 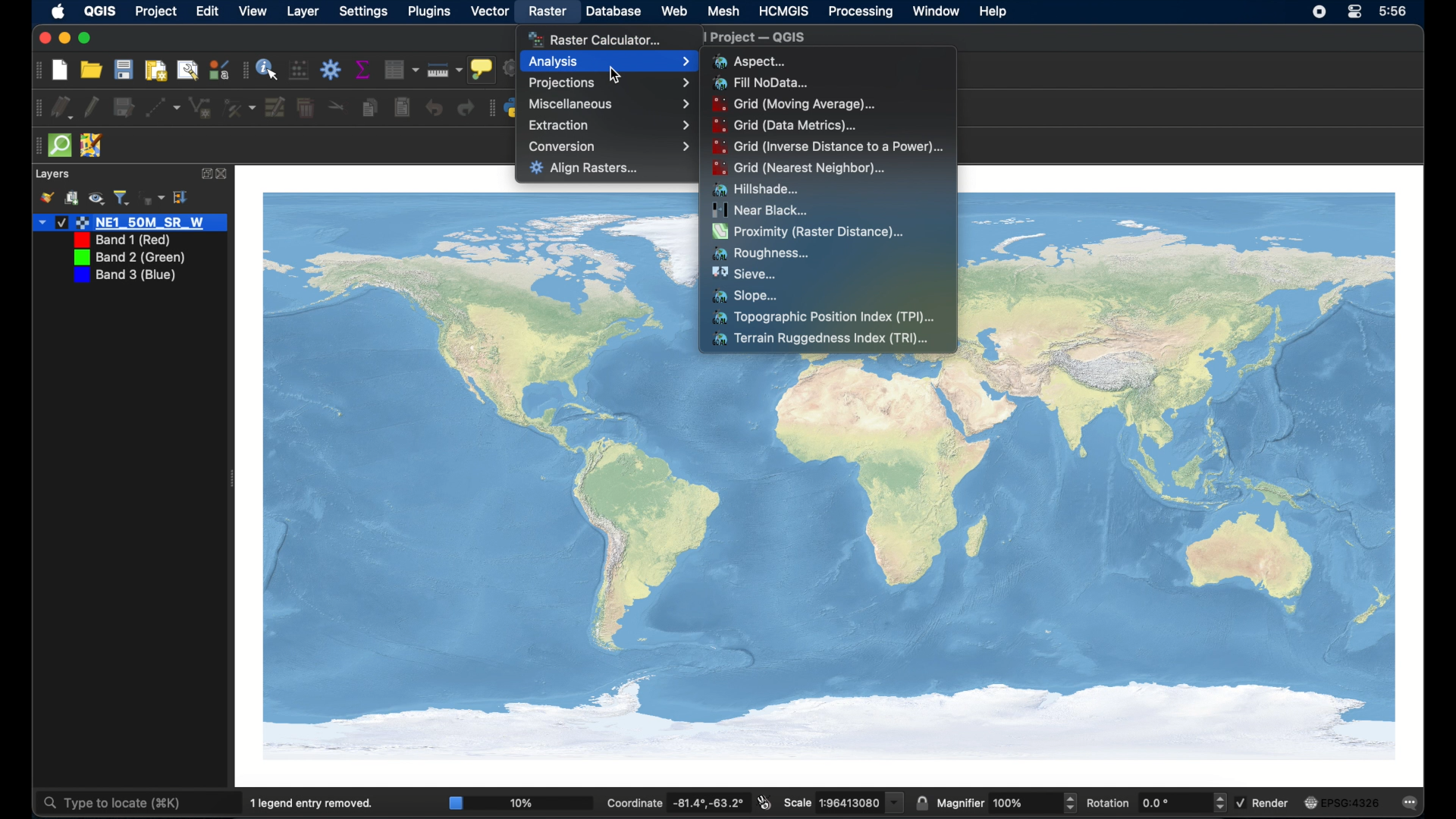 I want to click on scale, so click(x=833, y=802).